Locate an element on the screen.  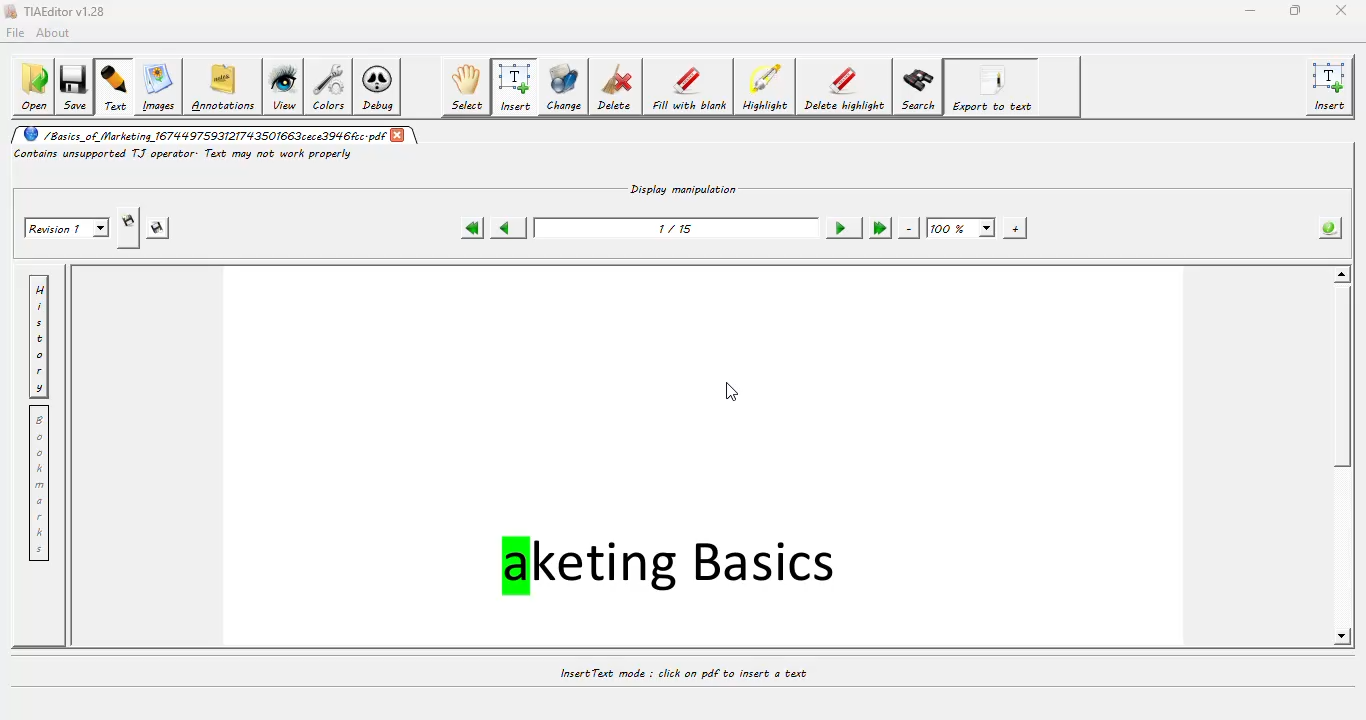
minimize is located at coordinates (1248, 9).